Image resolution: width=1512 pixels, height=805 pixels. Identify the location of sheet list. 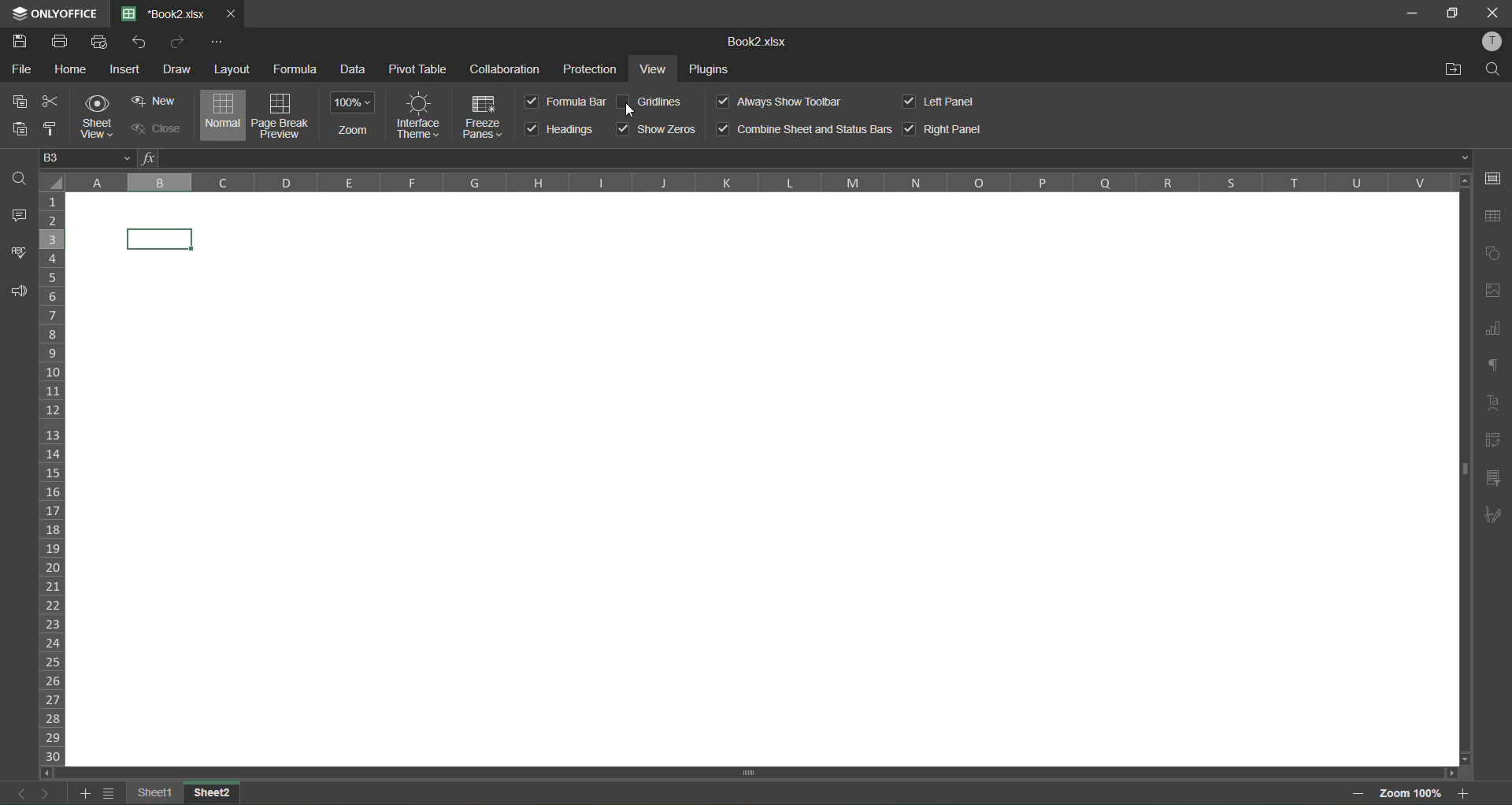
(109, 794).